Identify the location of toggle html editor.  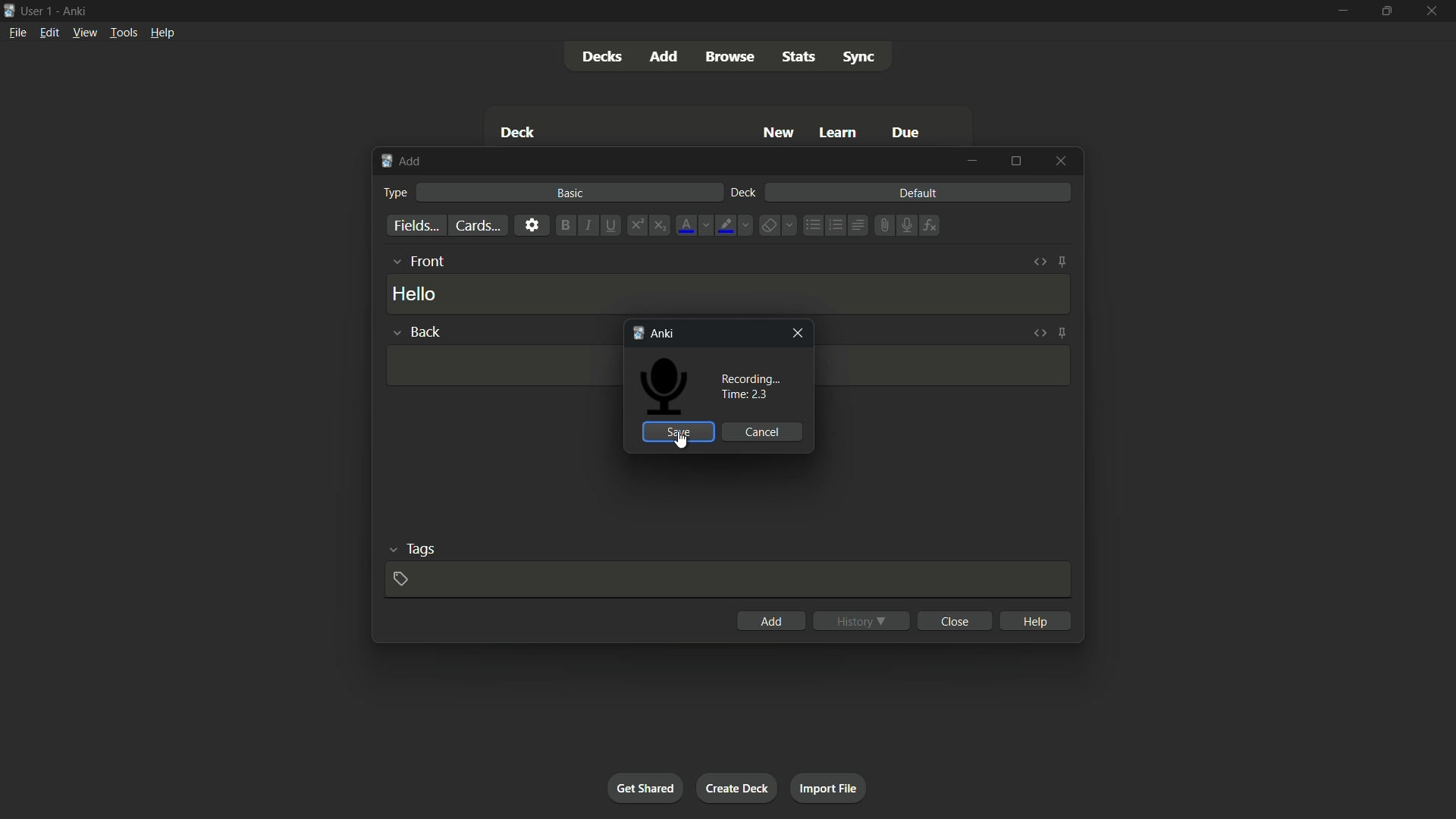
(1040, 262).